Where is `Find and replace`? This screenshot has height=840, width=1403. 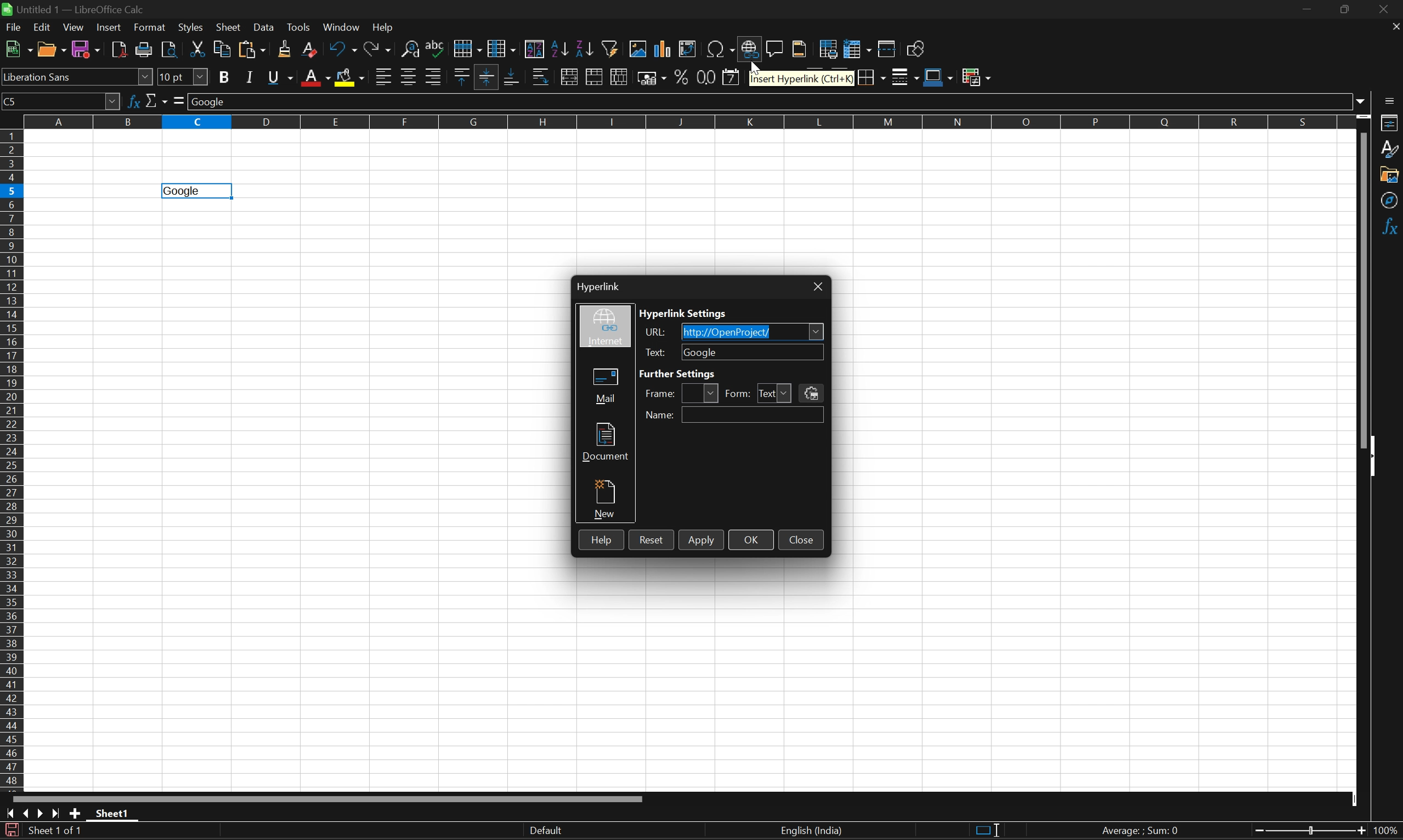
Find and replace is located at coordinates (412, 48).